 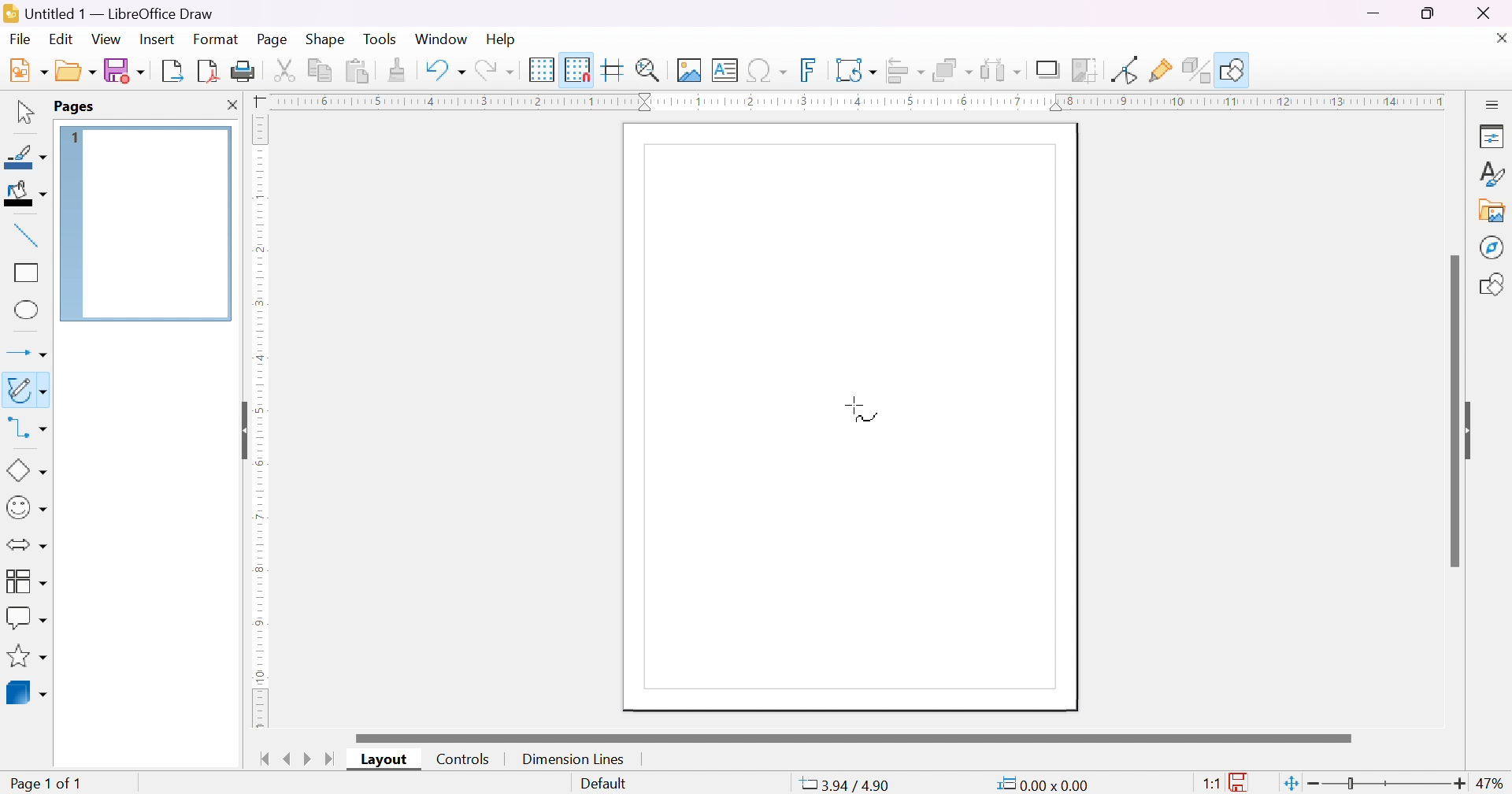 I want to click on 1:1, so click(x=1213, y=785).